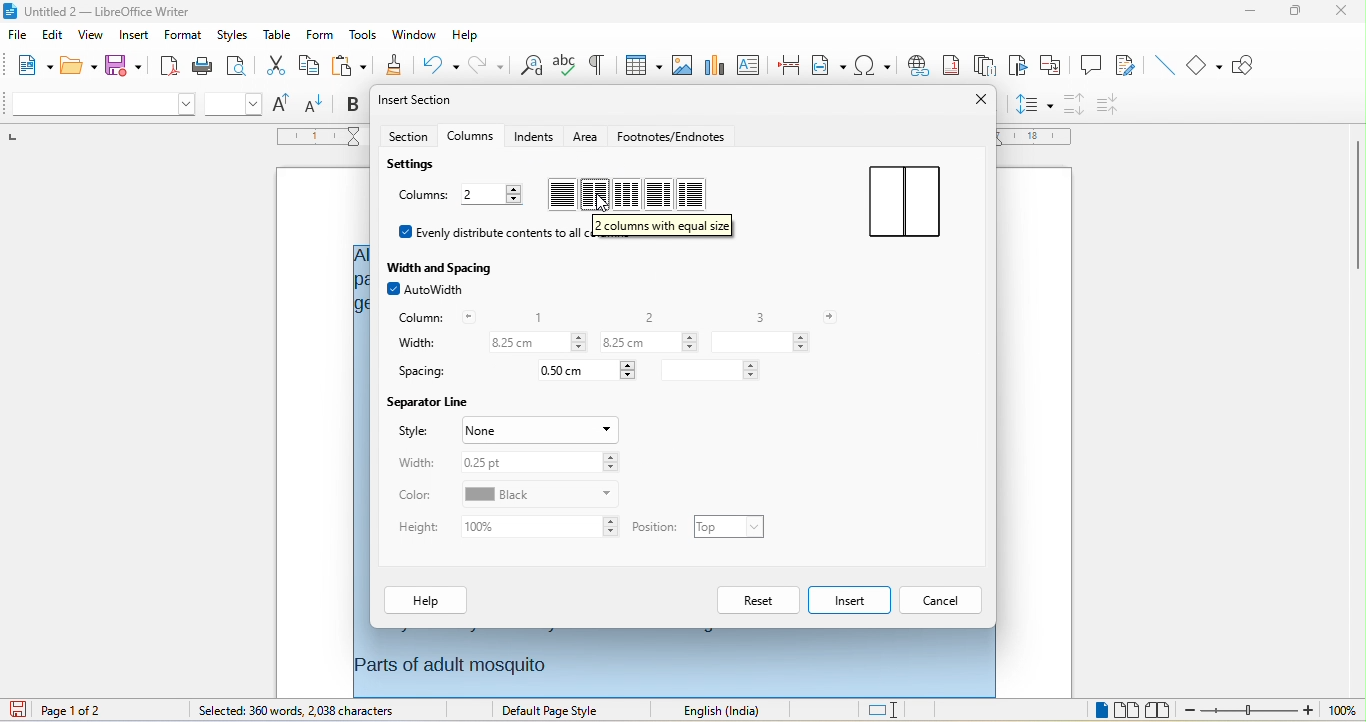  What do you see at coordinates (561, 195) in the screenshot?
I see `1 column` at bounding box center [561, 195].